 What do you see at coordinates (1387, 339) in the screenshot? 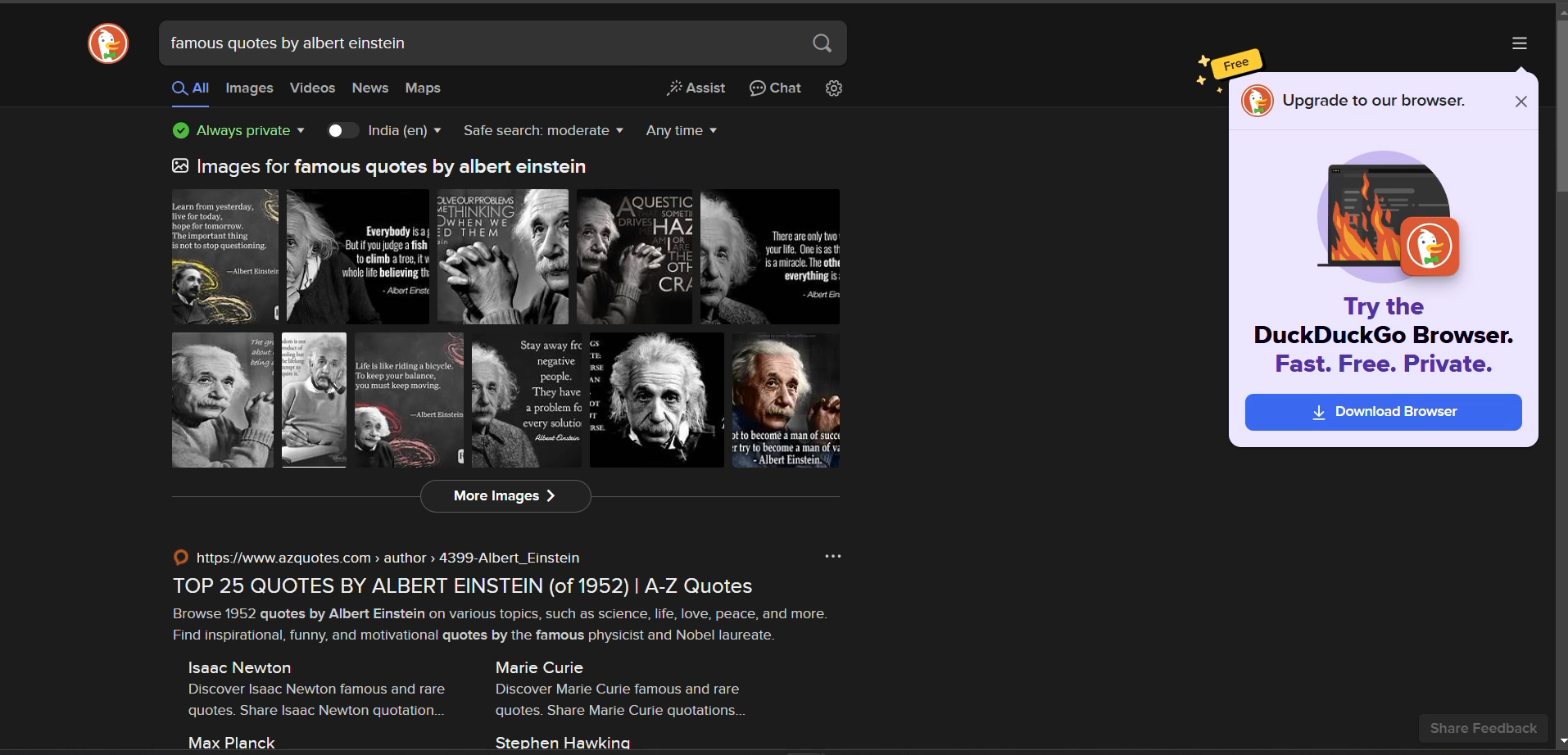
I see `Try the DuckDuckGo Browser. Fast. Free. Private.` at bounding box center [1387, 339].